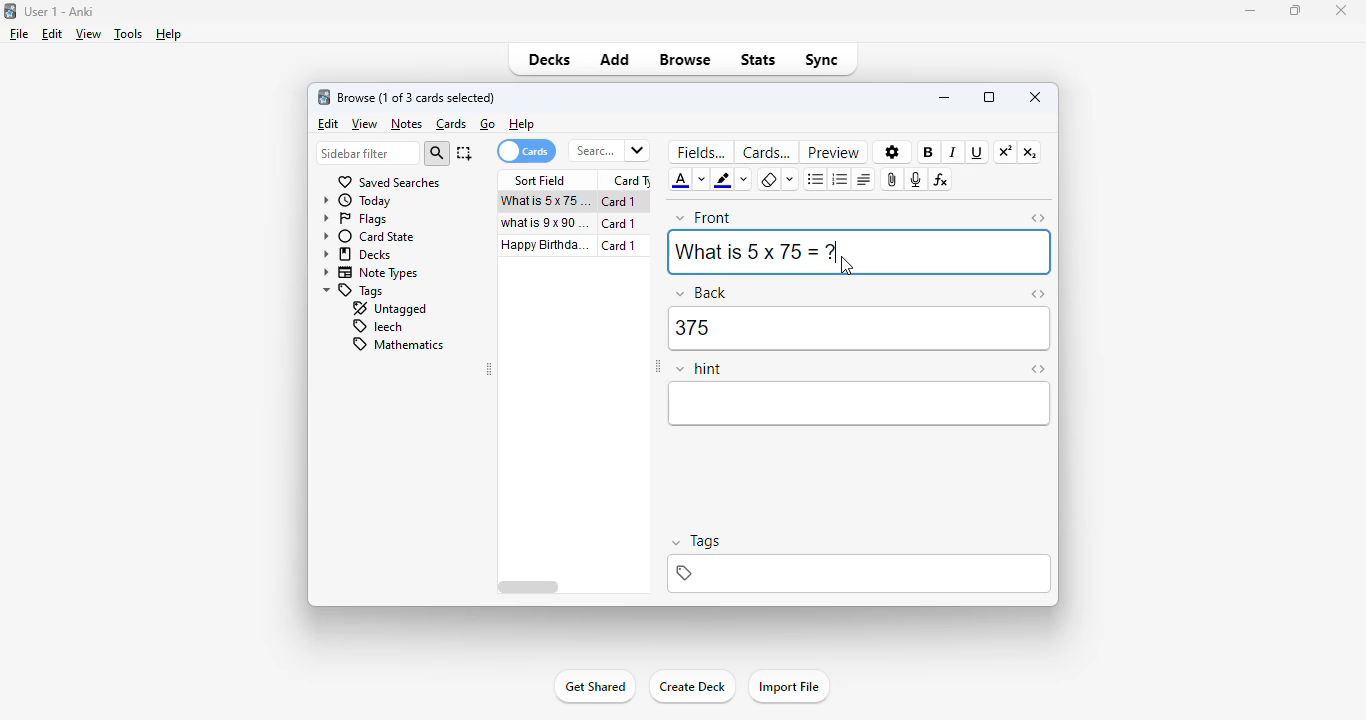 This screenshot has width=1366, height=720. I want to click on toggle HTML editor, so click(1038, 218).